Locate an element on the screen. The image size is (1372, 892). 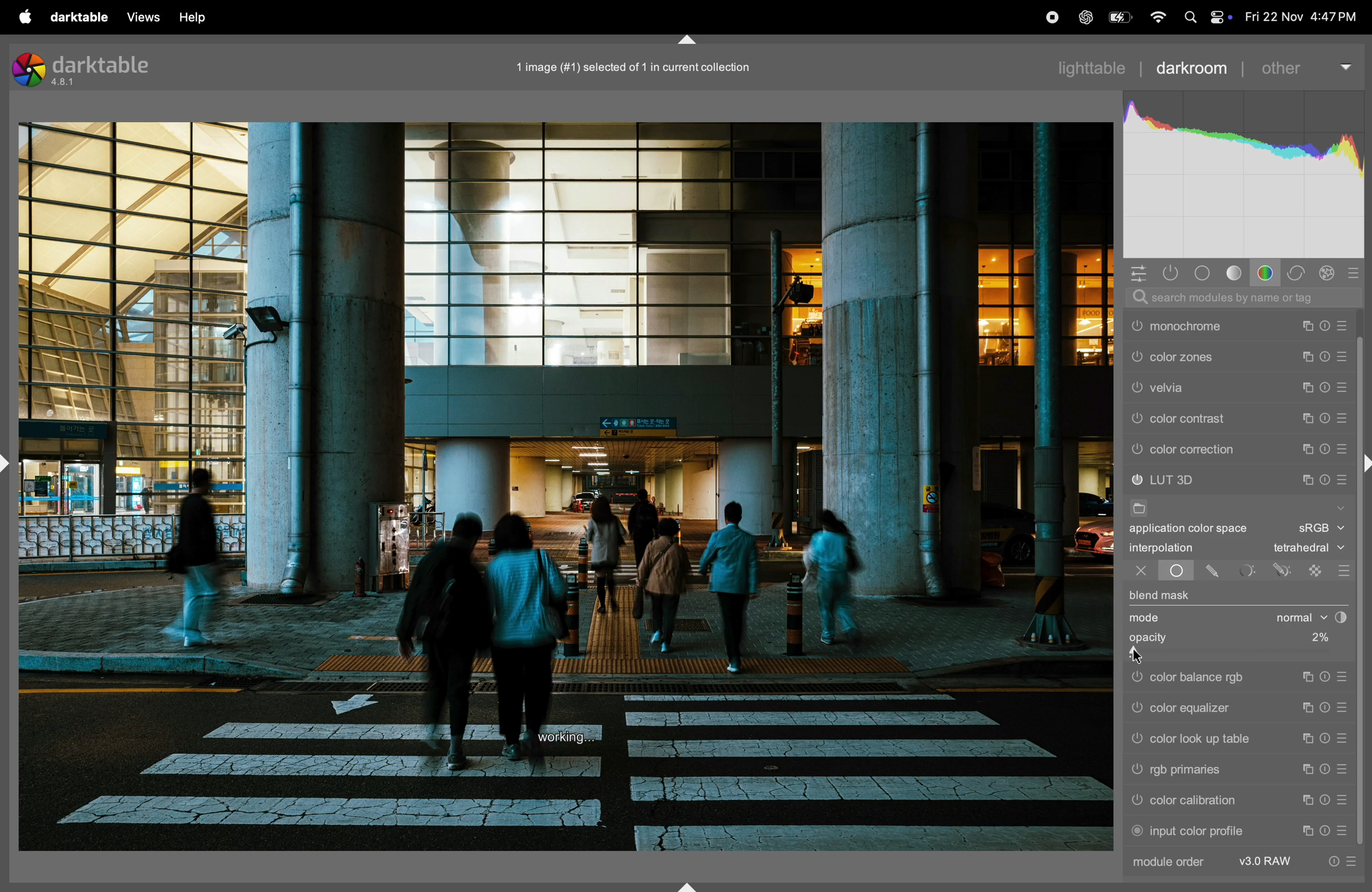
shift+ctrl+r is located at coordinates (1363, 463).